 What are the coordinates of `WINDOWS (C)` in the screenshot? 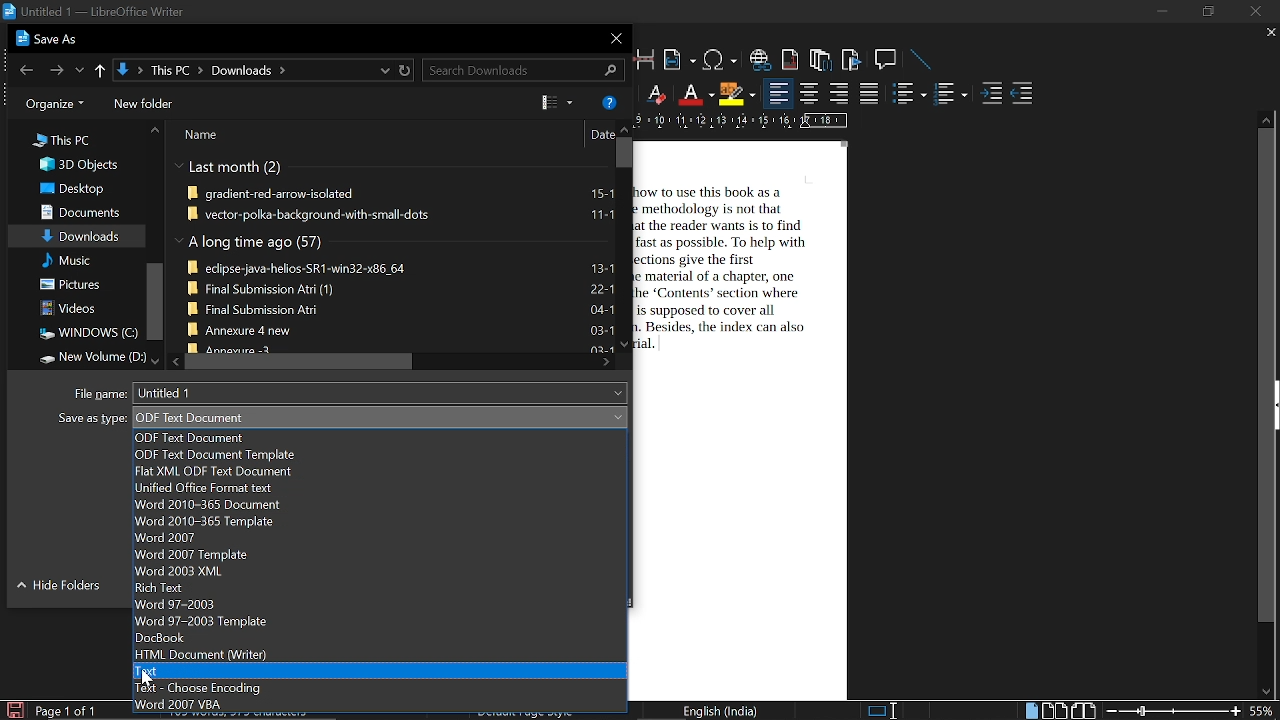 It's located at (85, 333).